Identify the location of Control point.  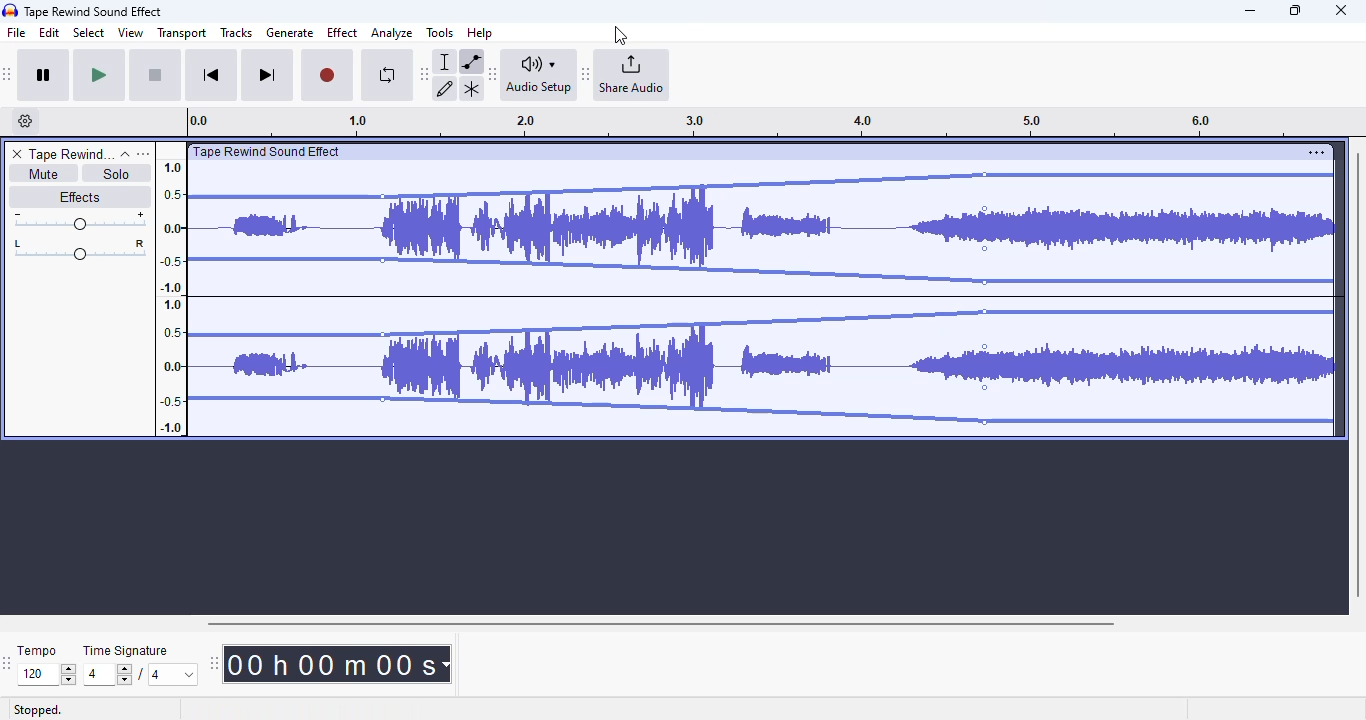
(985, 209).